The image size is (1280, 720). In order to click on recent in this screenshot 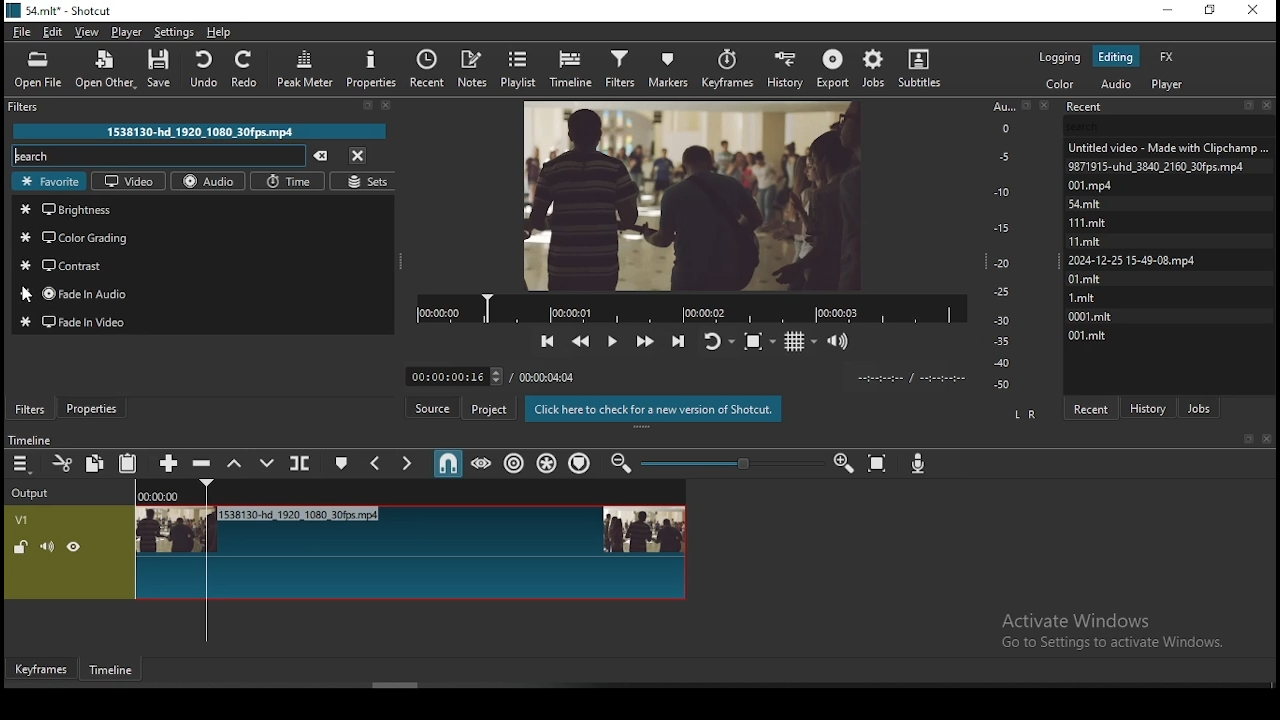, I will do `click(1092, 407)`.